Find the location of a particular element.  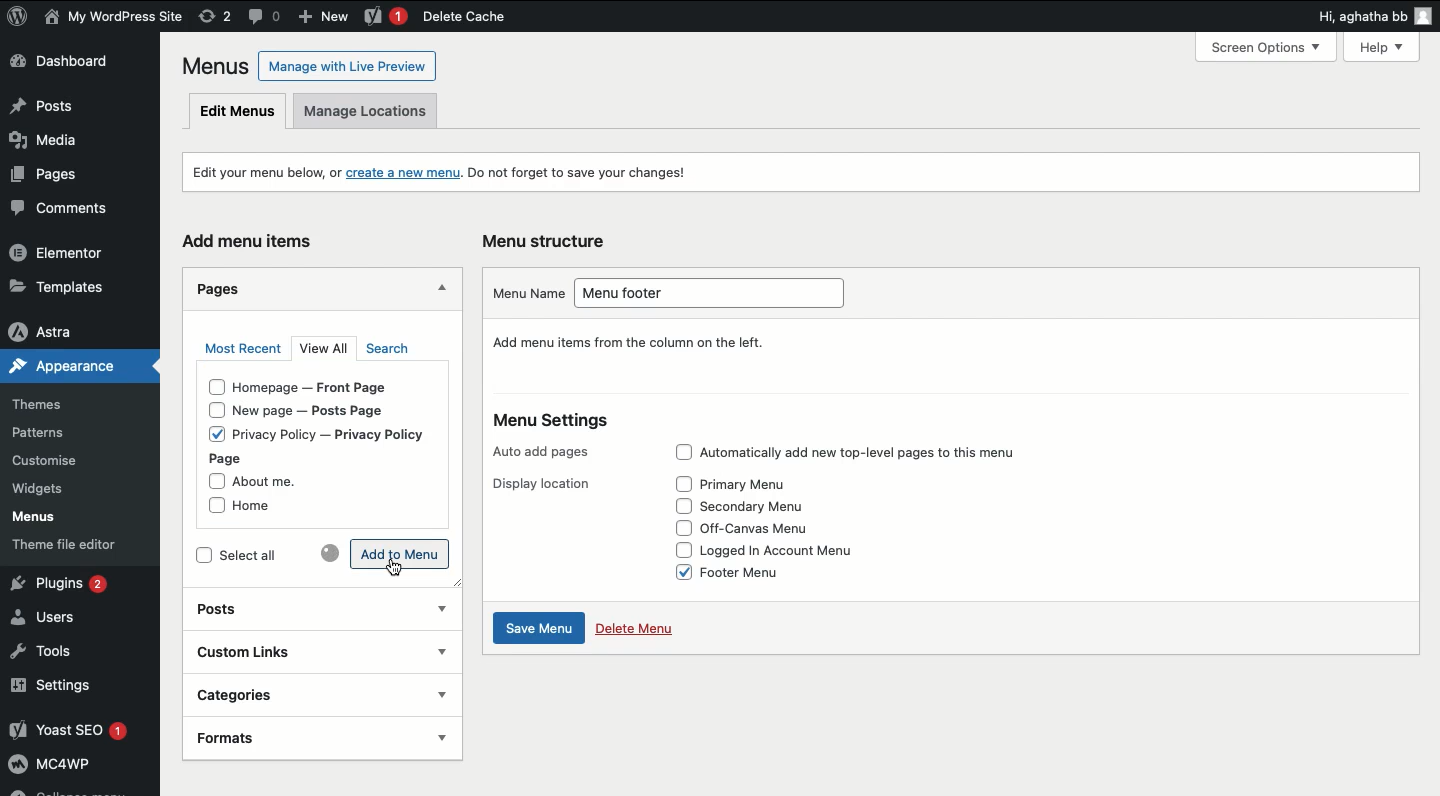

Save menu is located at coordinates (540, 630).